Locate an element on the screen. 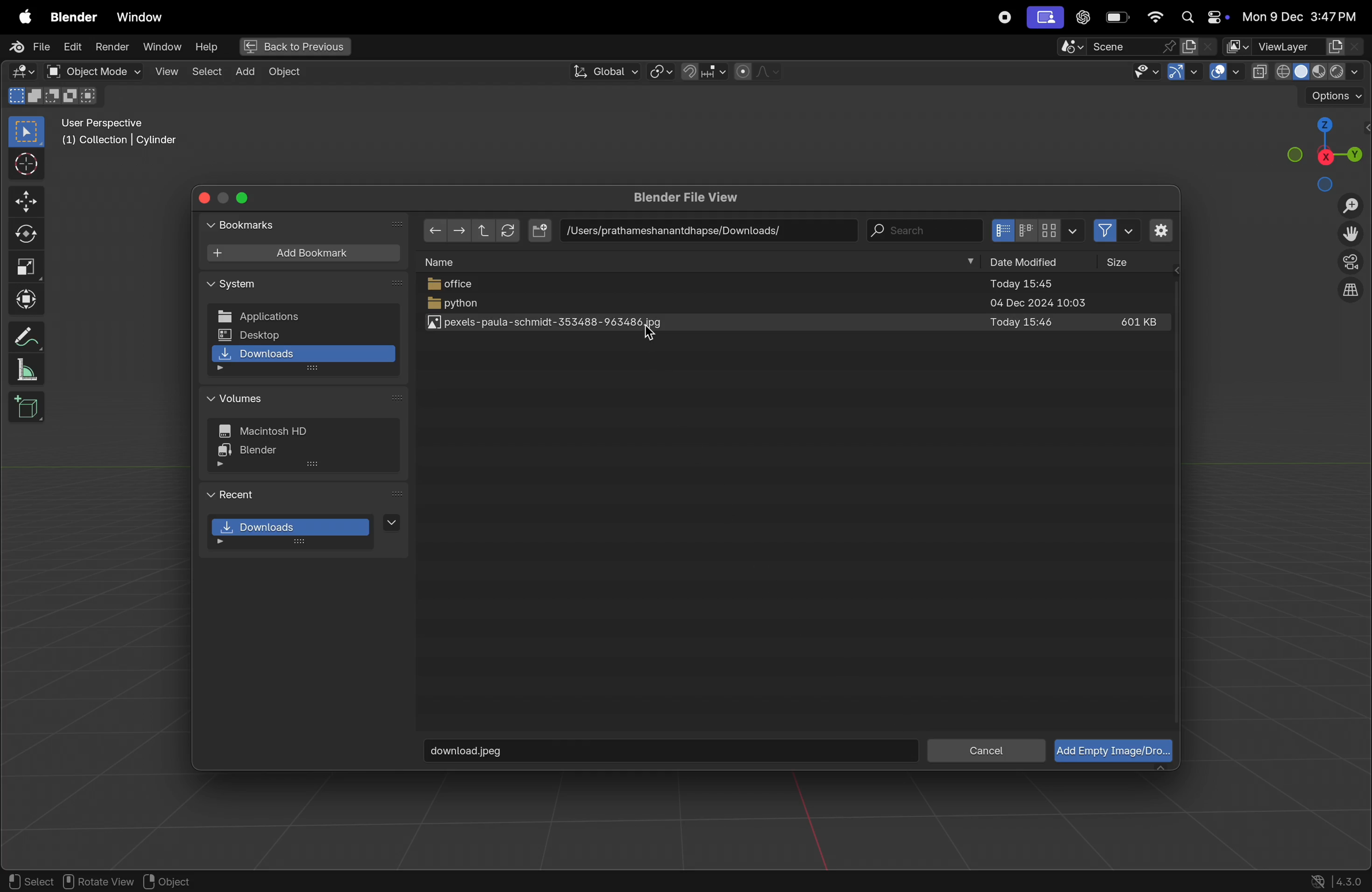 This screenshot has width=1372, height=892. applications is located at coordinates (302, 315).